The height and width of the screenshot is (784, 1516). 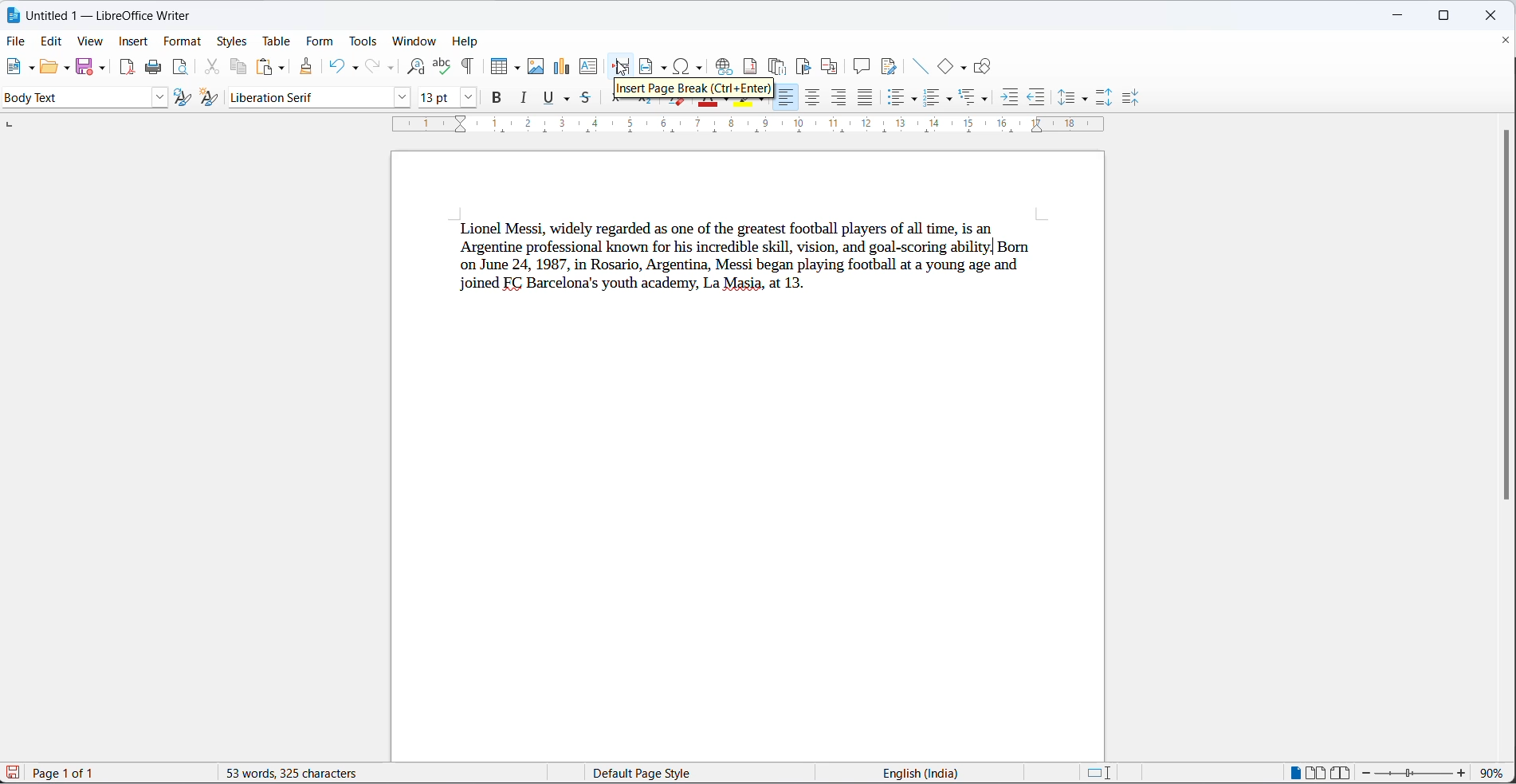 What do you see at coordinates (1505, 318) in the screenshot?
I see `scrollbar` at bounding box center [1505, 318].